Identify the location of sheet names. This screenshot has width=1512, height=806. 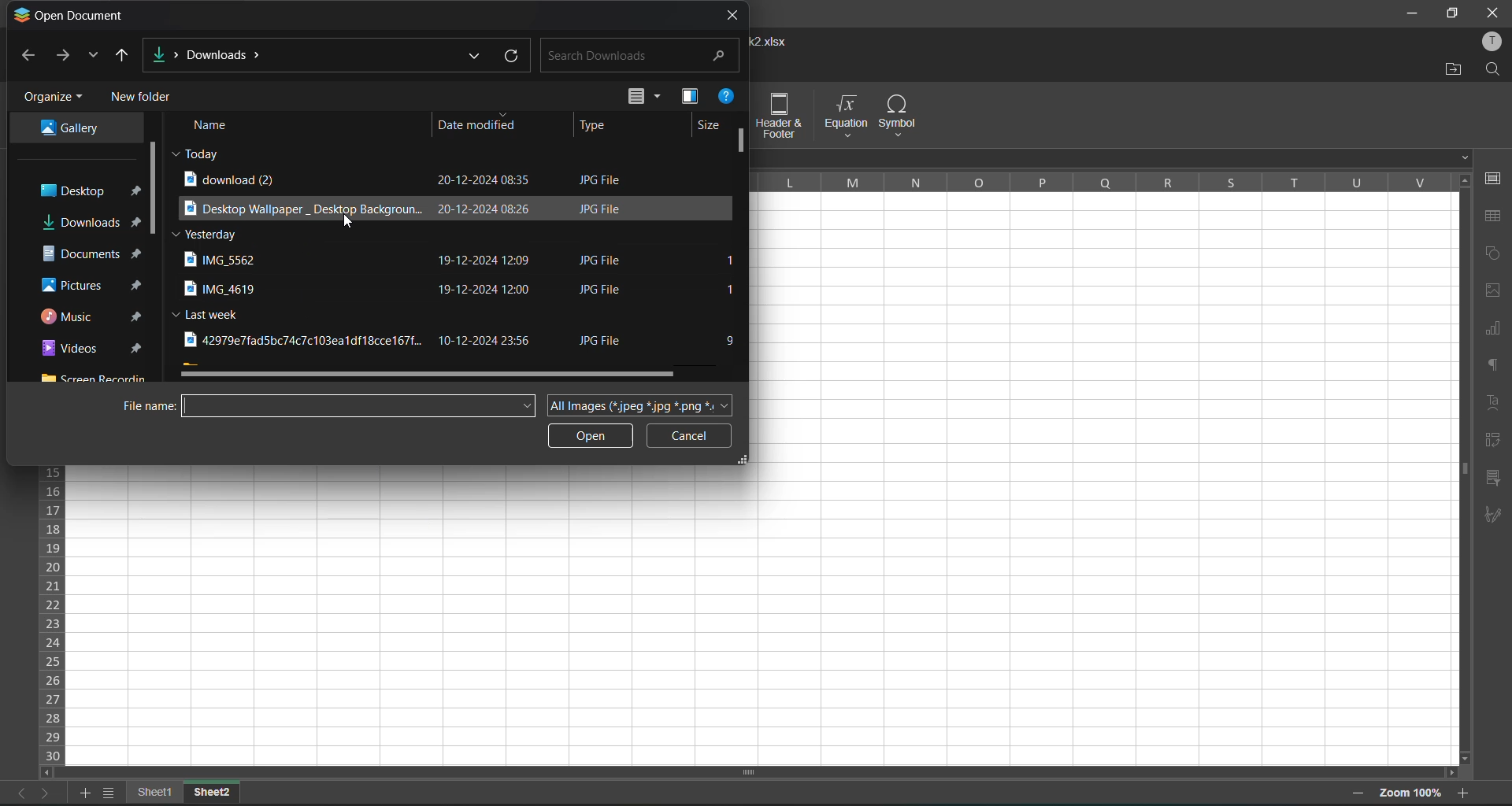
(160, 791).